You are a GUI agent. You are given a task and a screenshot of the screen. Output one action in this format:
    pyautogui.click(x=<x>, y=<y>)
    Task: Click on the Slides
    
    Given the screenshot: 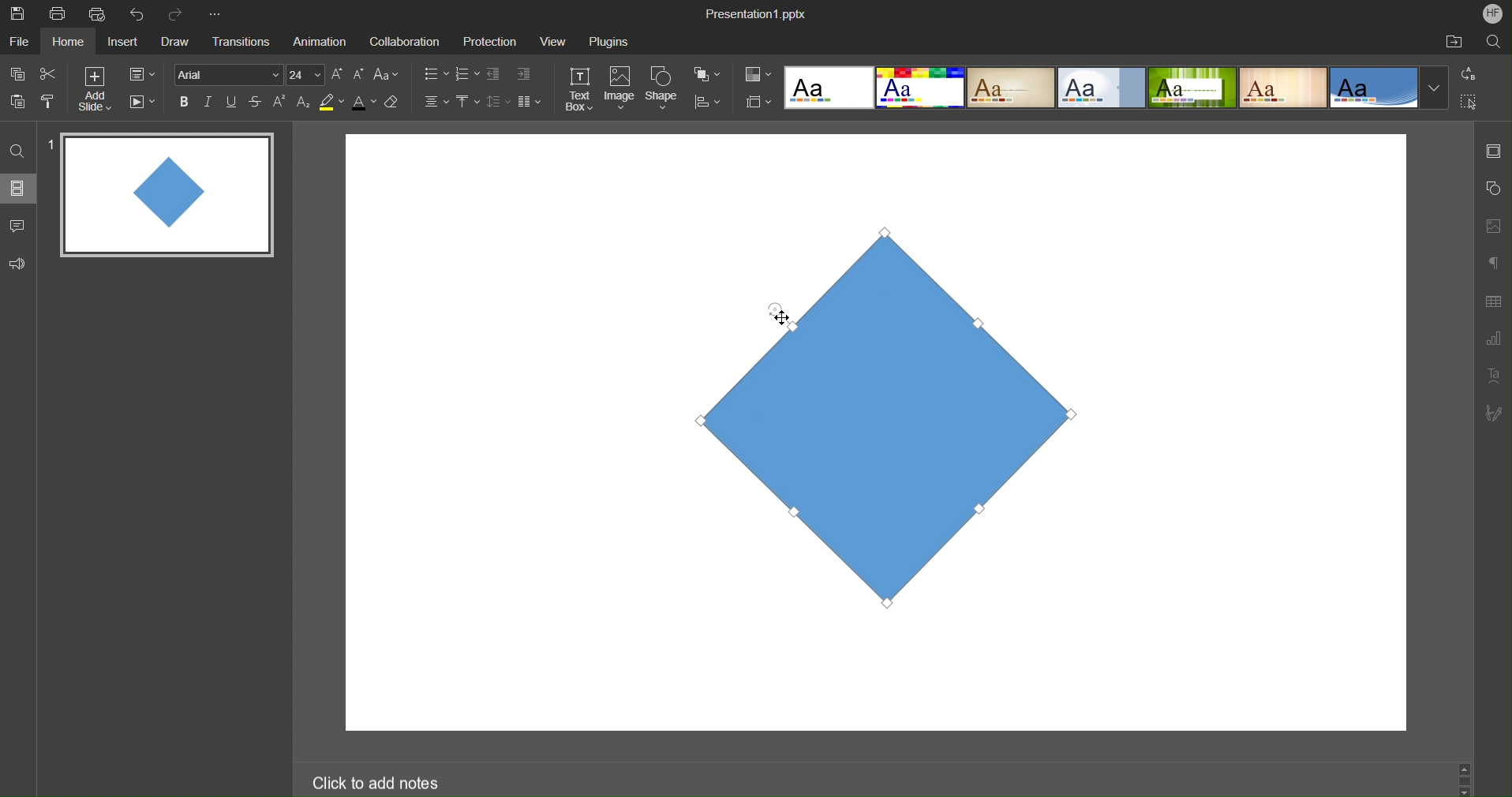 What is the action you would take?
    pyautogui.click(x=18, y=188)
    